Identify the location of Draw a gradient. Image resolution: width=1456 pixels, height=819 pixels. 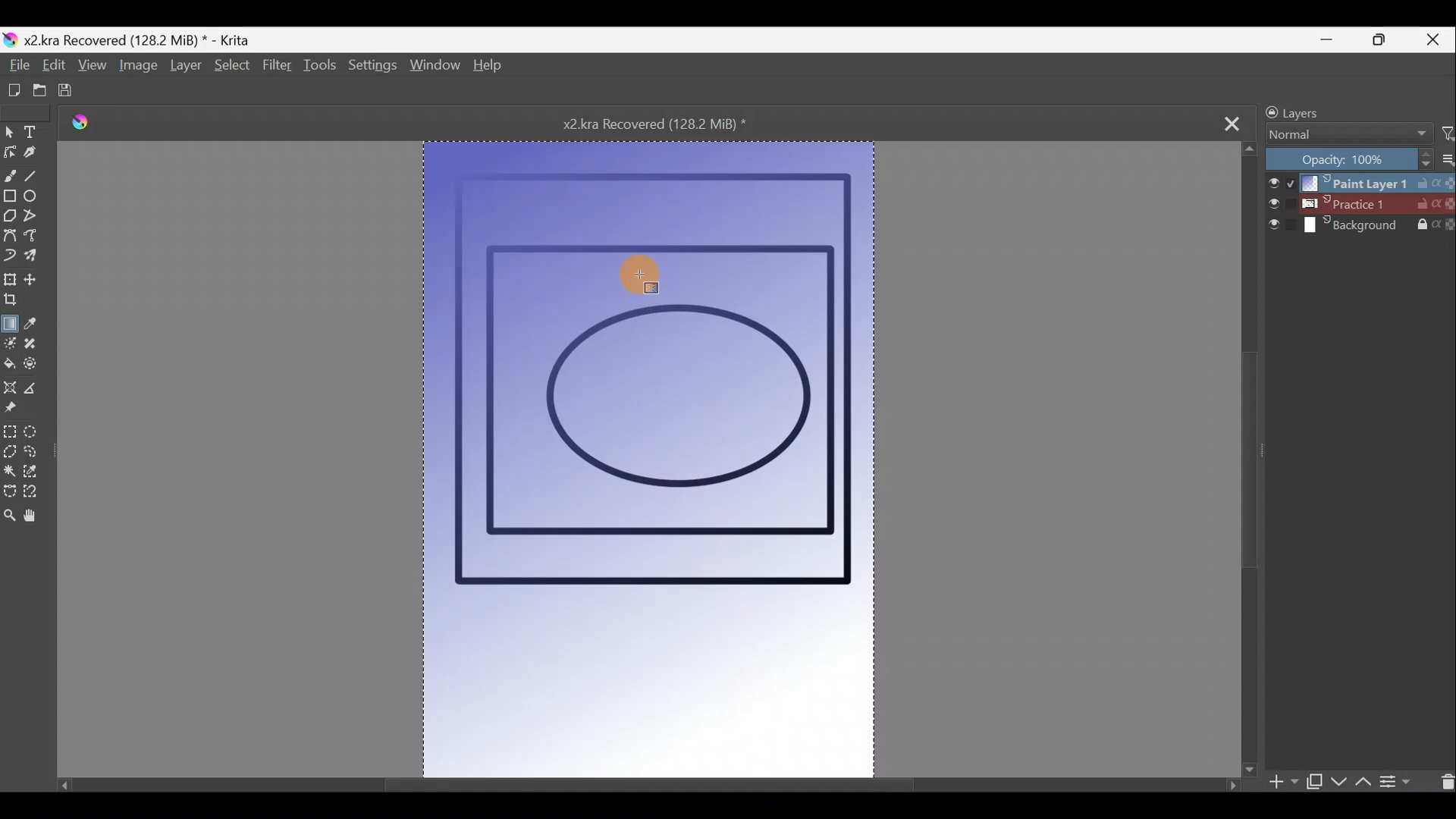
(11, 321).